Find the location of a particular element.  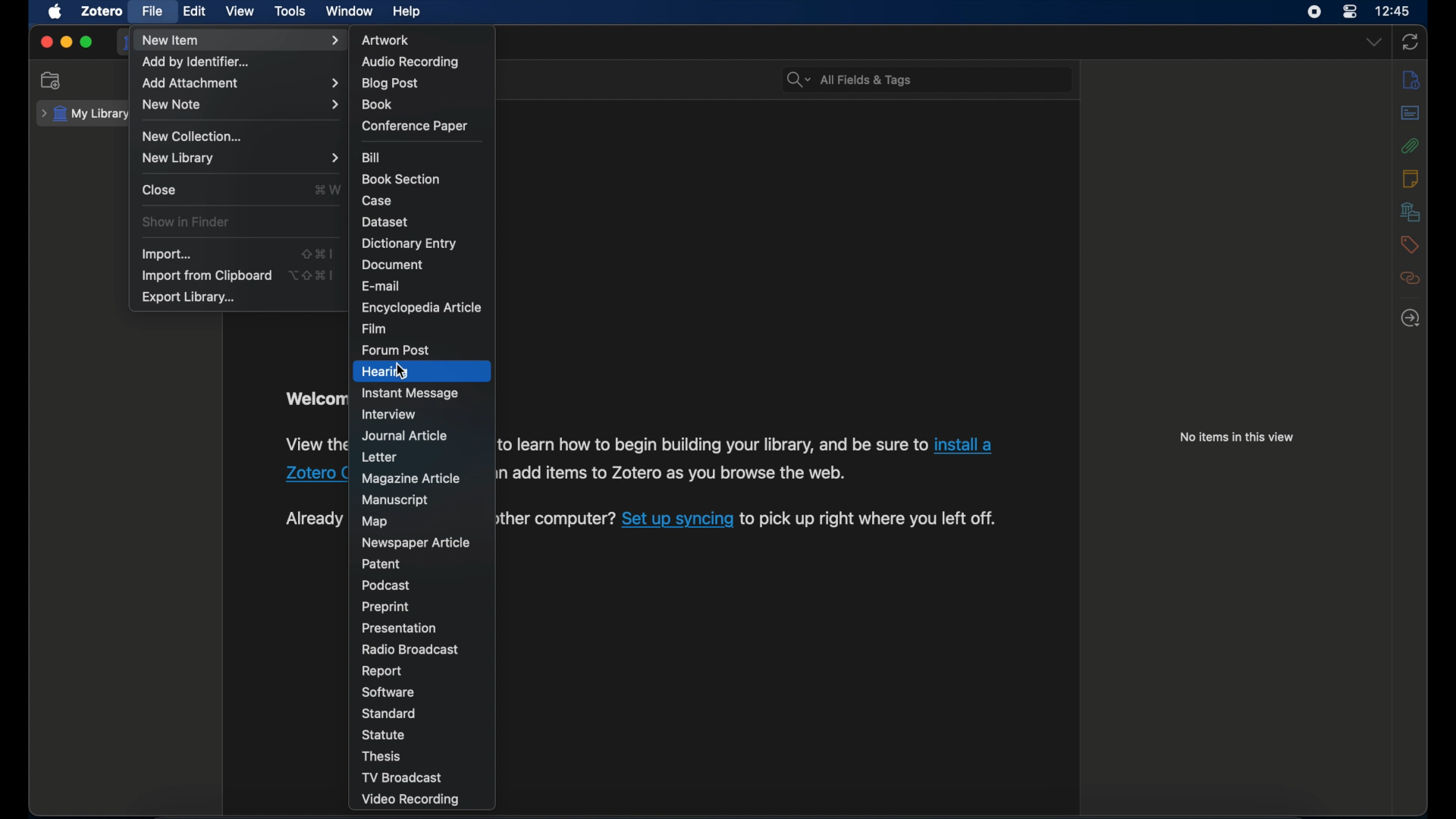

import is located at coordinates (167, 254).